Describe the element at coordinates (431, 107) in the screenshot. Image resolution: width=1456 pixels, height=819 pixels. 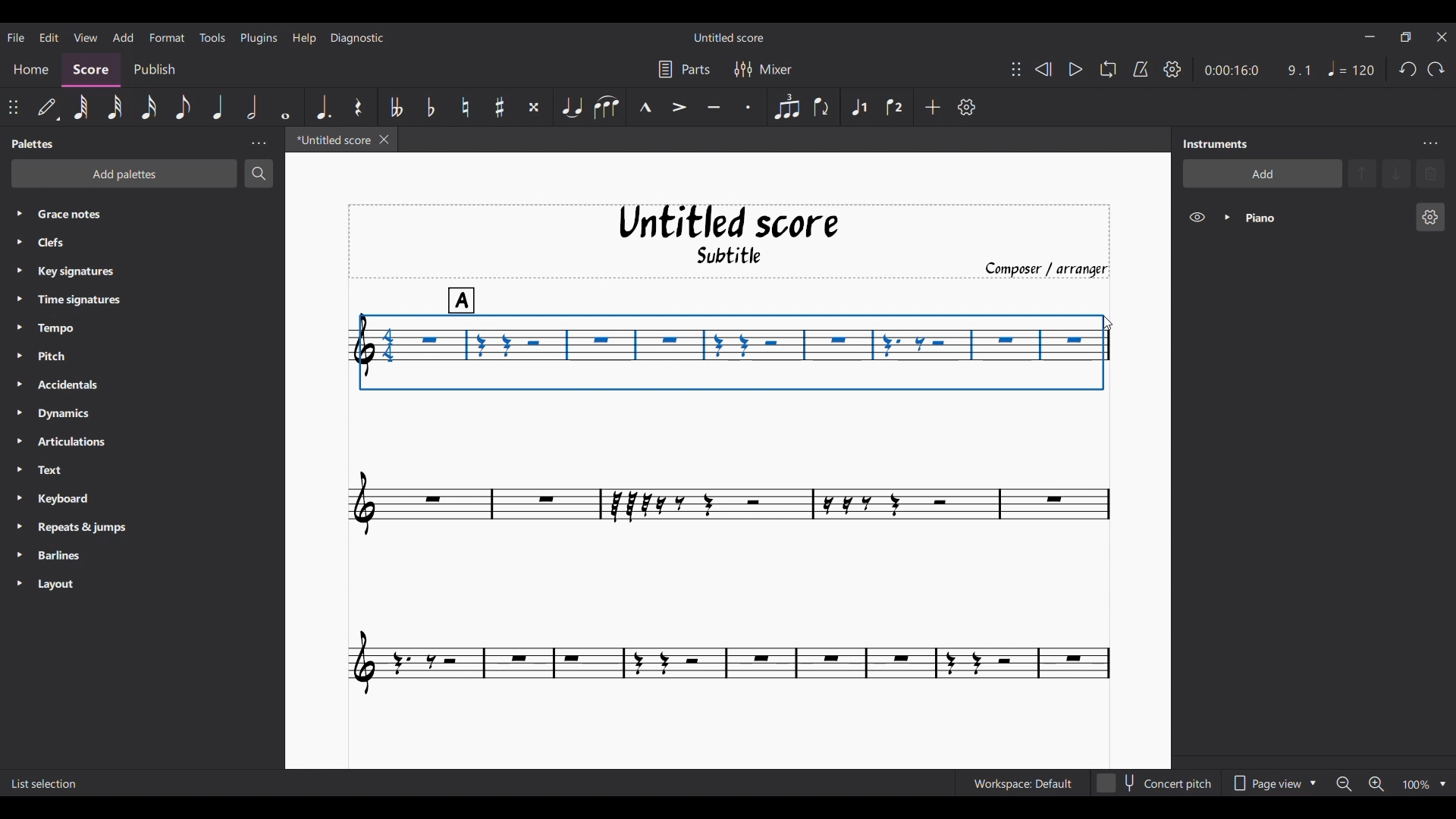
I see `Toggle flat` at that location.